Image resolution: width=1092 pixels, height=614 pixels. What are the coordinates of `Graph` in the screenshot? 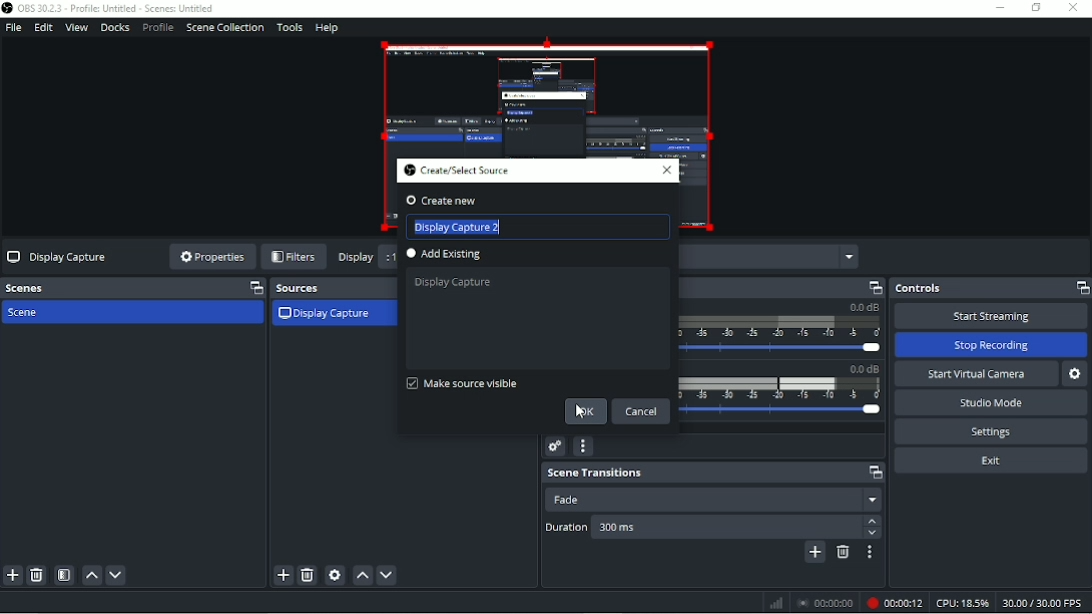 It's located at (776, 604).